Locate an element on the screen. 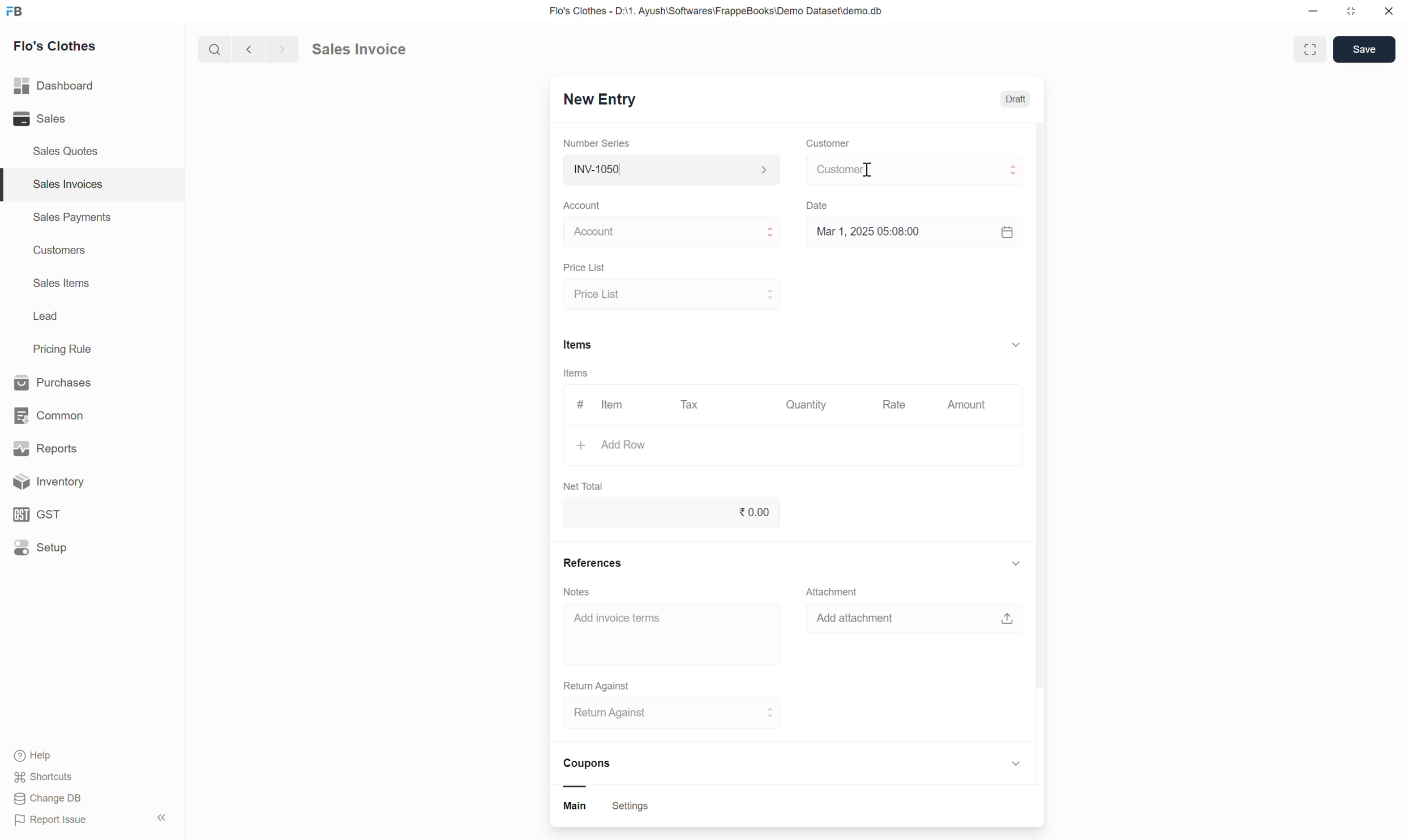 The image size is (1408, 840). Tax is located at coordinates (691, 408).